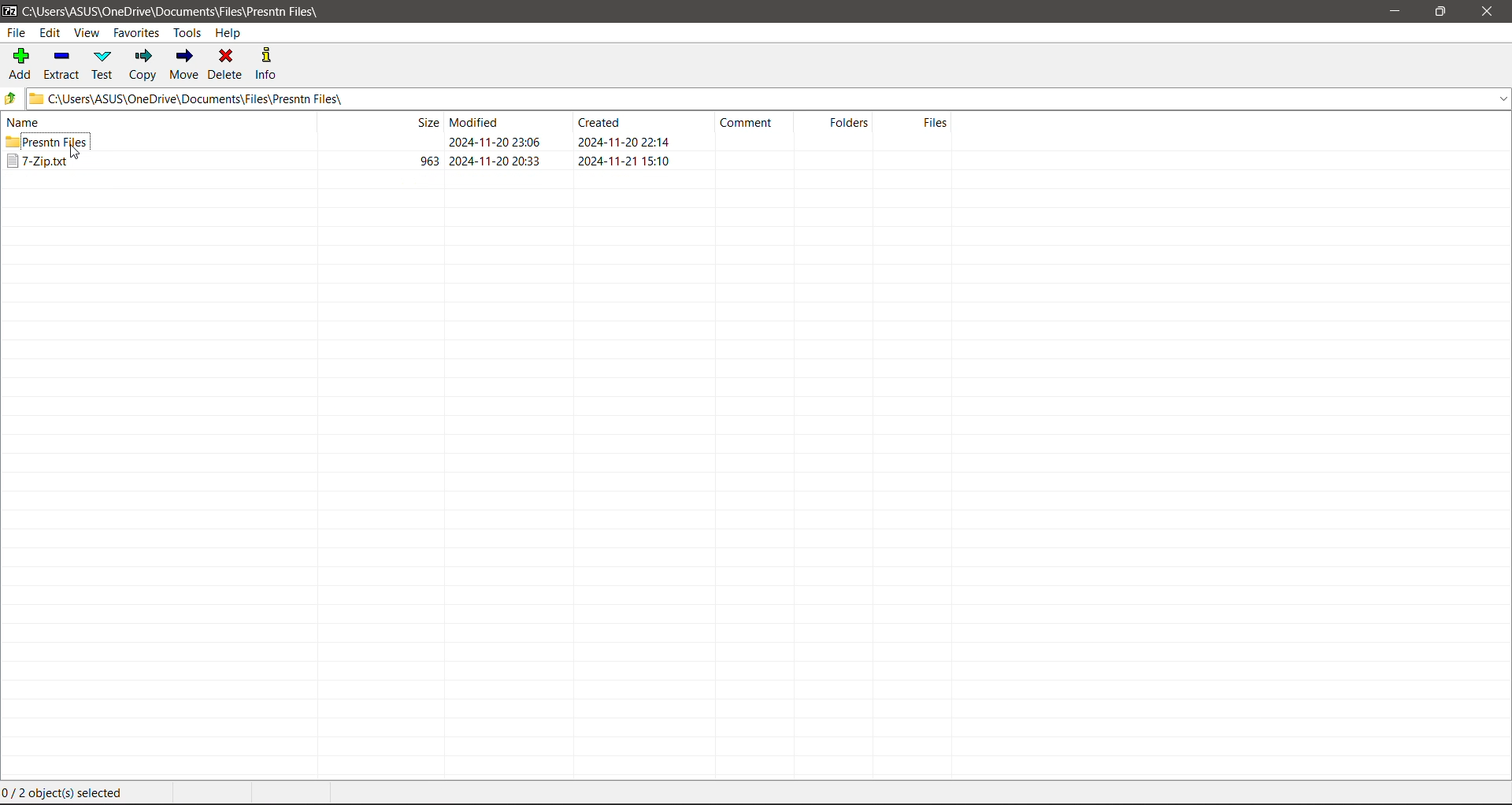 Image resolution: width=1512 pixels, height=805 pixels. What do you see at coordinates (10, 98) in the screenshot?
I see `Move Up one level` at bounding box center [10, 98].